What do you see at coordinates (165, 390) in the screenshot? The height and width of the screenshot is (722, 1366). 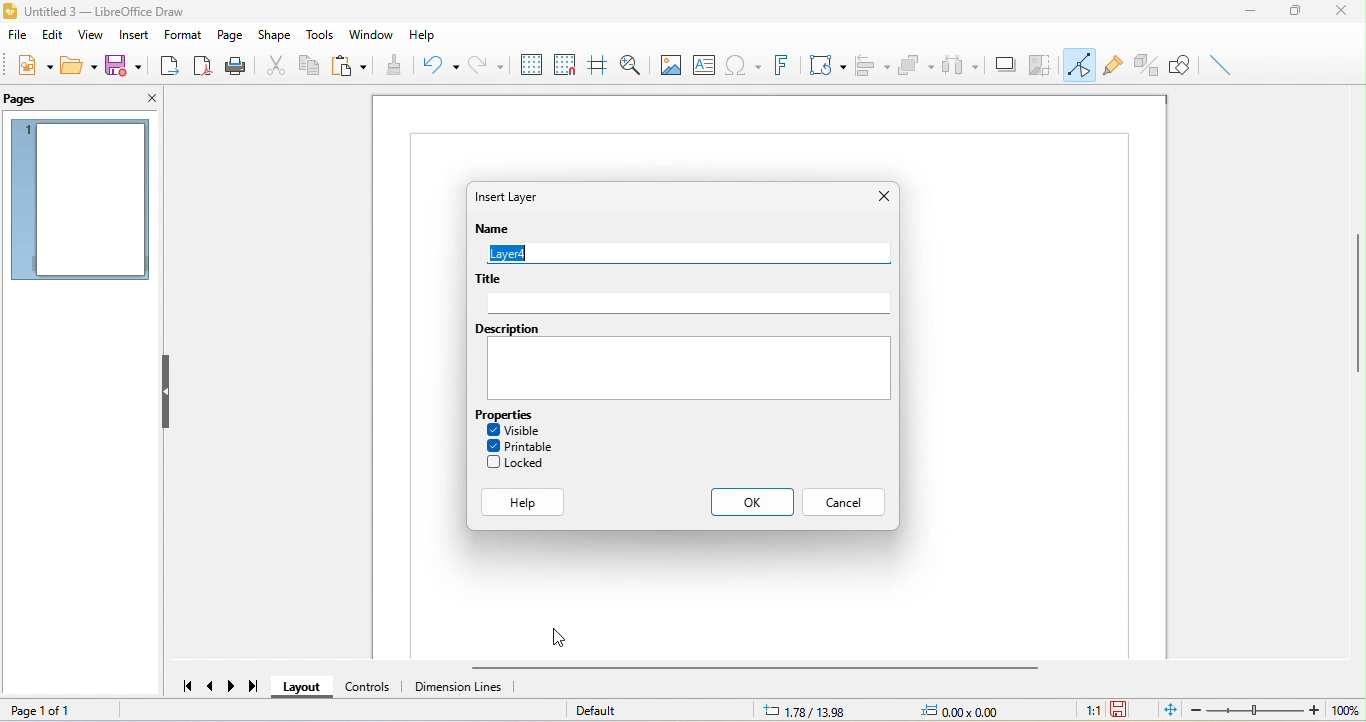 I see `hide` at bounding box center [165, 390].